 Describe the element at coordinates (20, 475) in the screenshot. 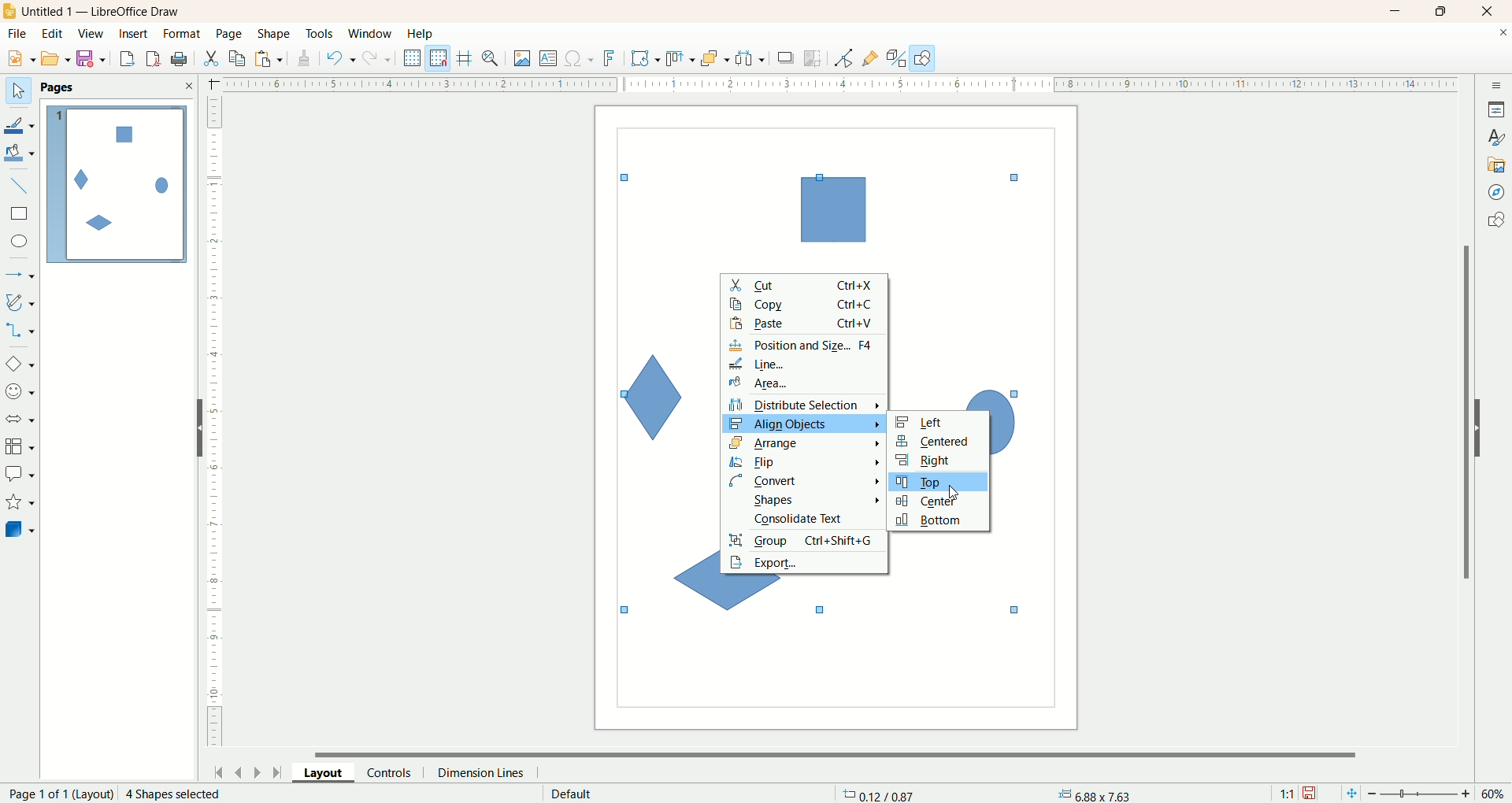

I see `callout shapes` at that location.